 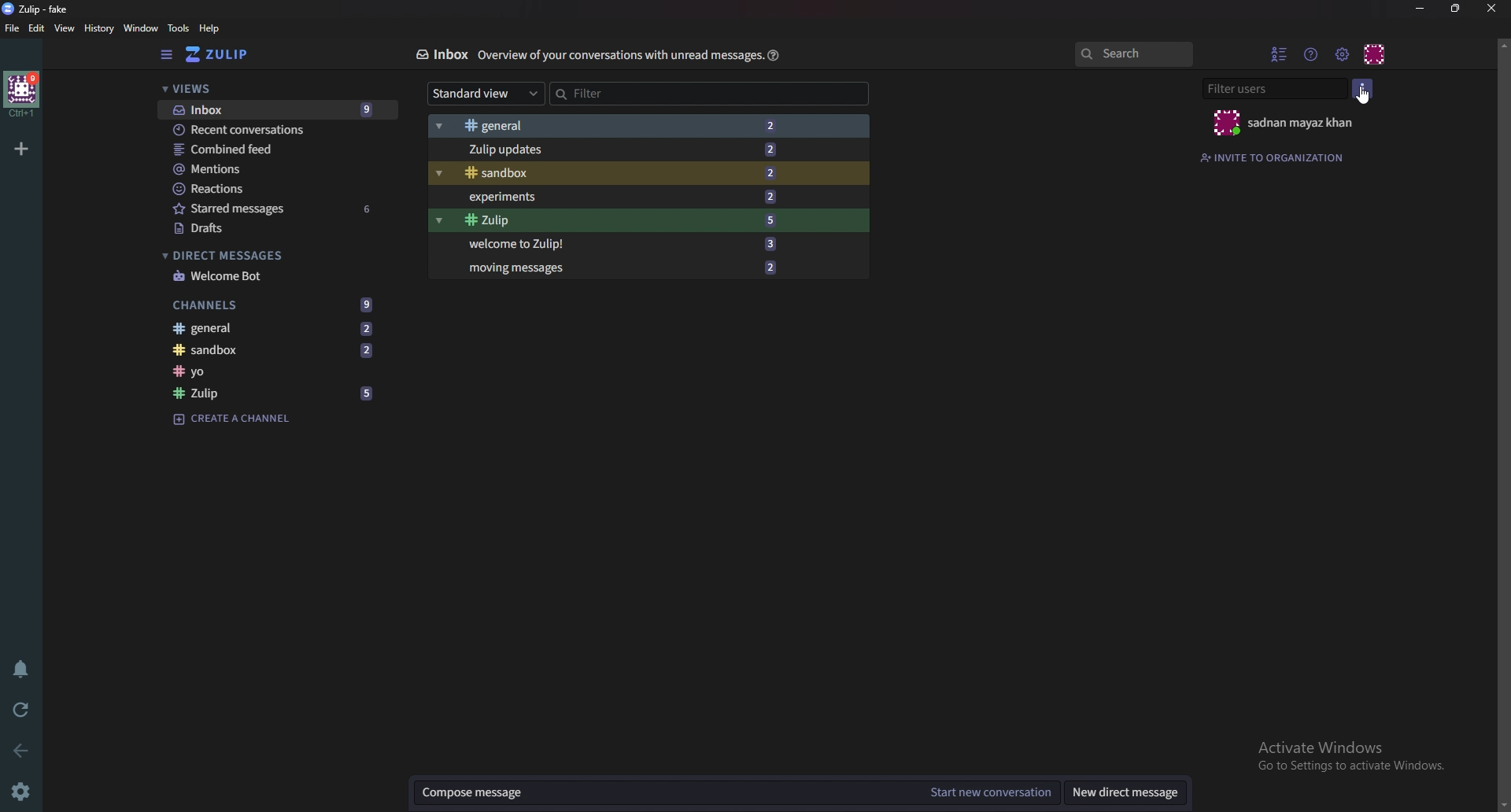 I want to click on New direct message, so click(x=1130, y=793).